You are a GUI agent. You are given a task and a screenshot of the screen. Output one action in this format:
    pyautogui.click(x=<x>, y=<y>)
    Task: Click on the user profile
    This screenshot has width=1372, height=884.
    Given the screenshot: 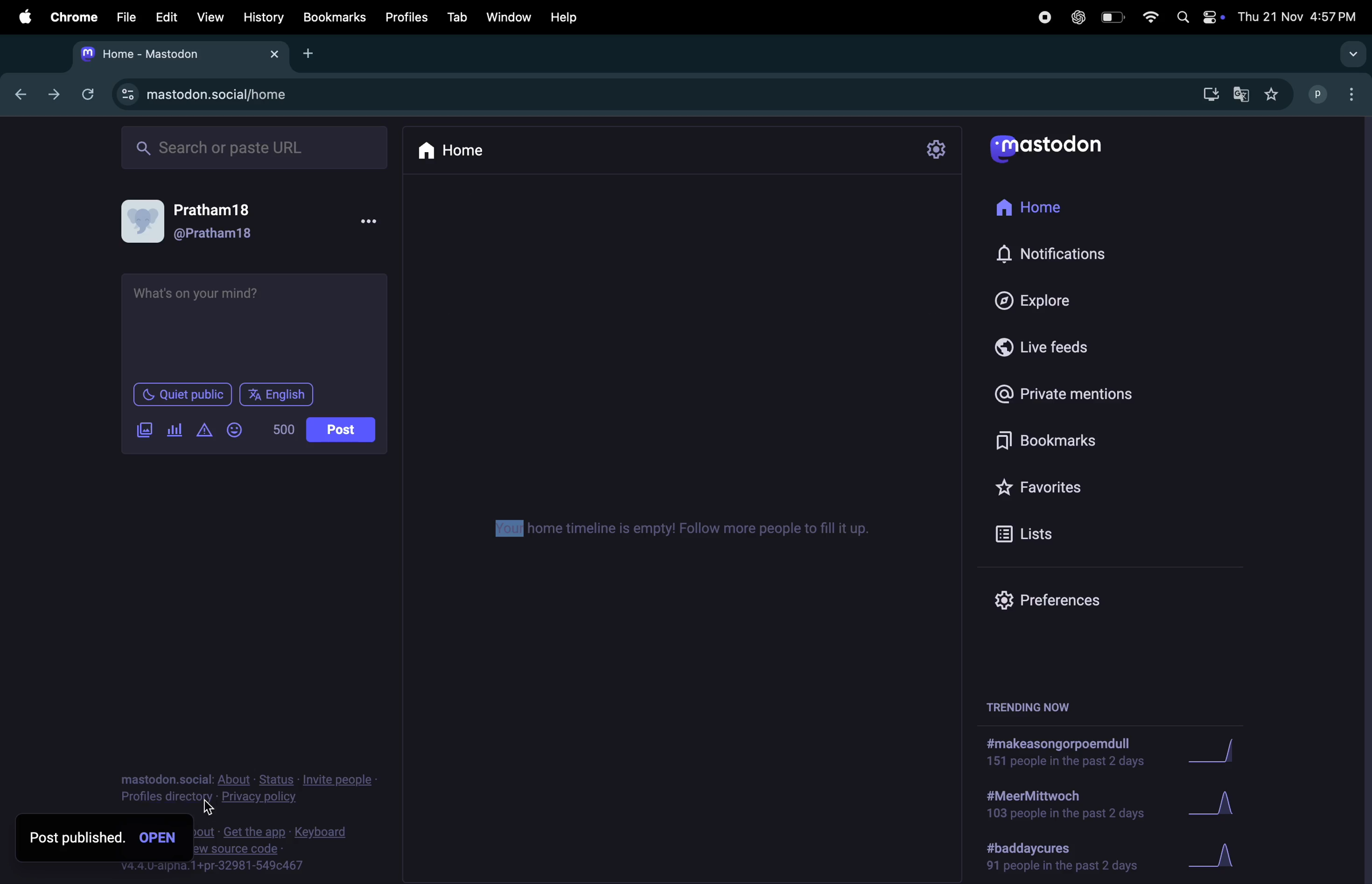 What is the action you would take?
    pyautogui.click(x=256, y=224)
    